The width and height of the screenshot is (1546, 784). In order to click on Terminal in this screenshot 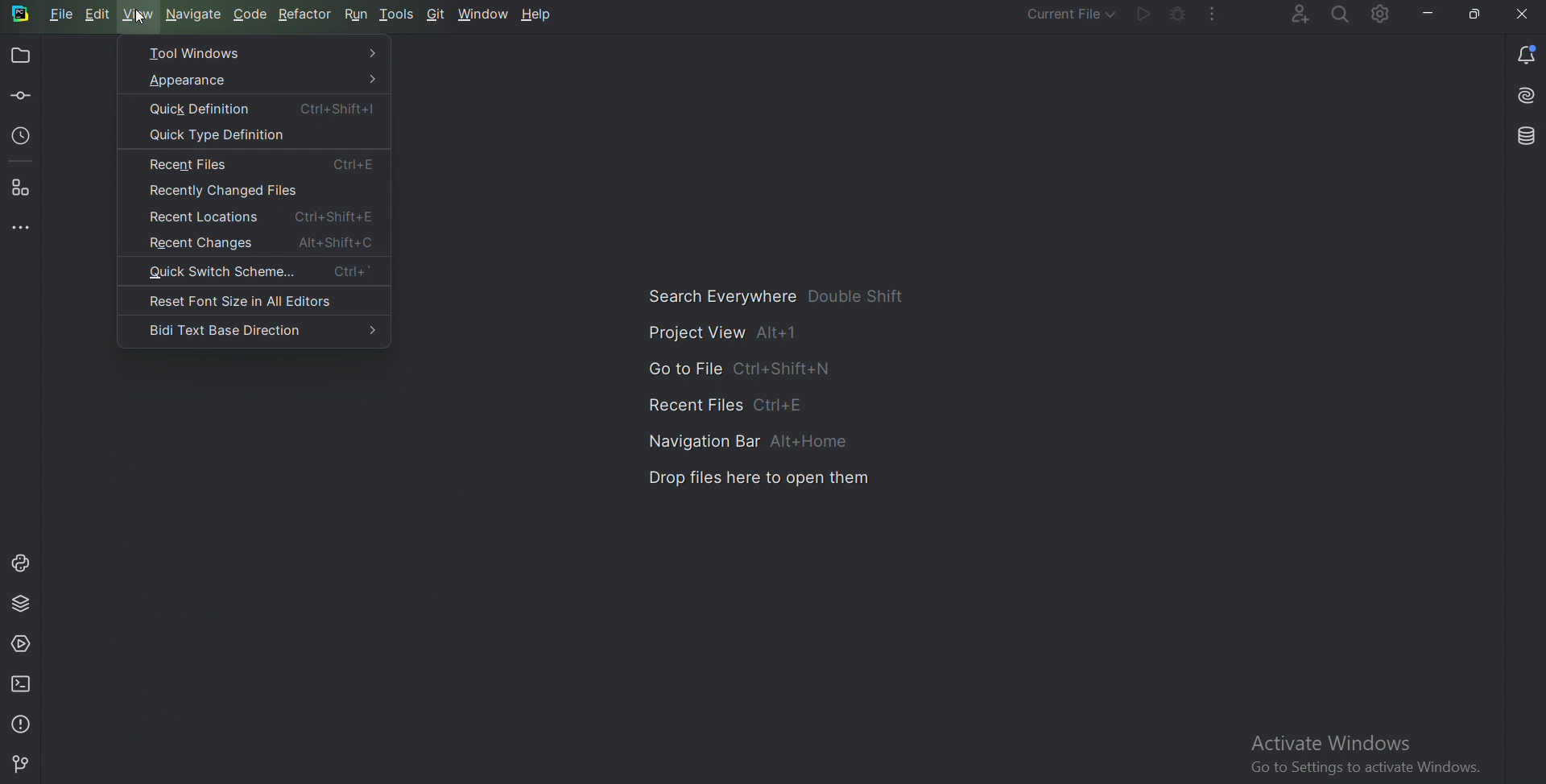, I will do `click(23, 685)`.